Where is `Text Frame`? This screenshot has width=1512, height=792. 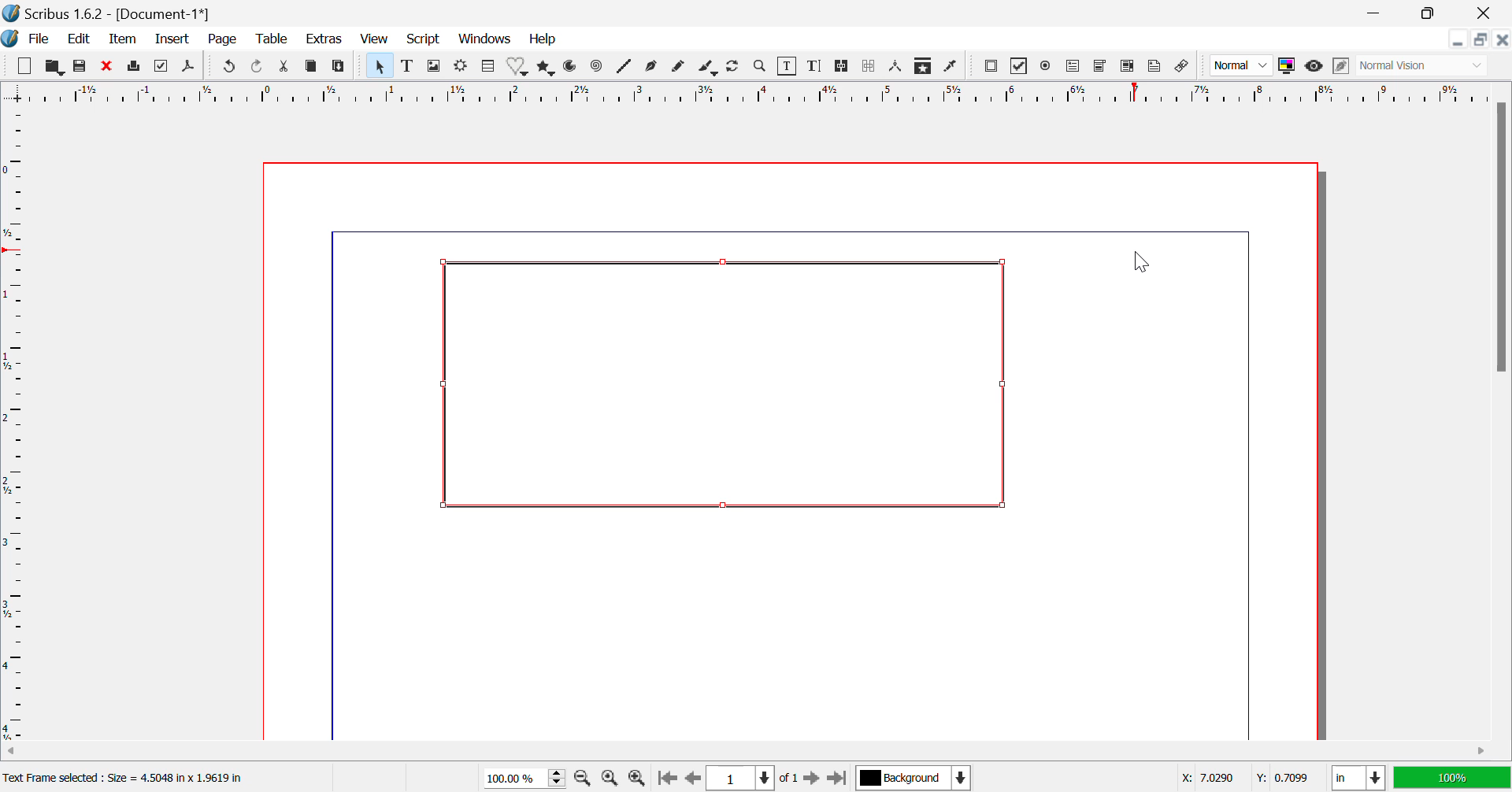
Text Frame is located at coordinates (408, 68).